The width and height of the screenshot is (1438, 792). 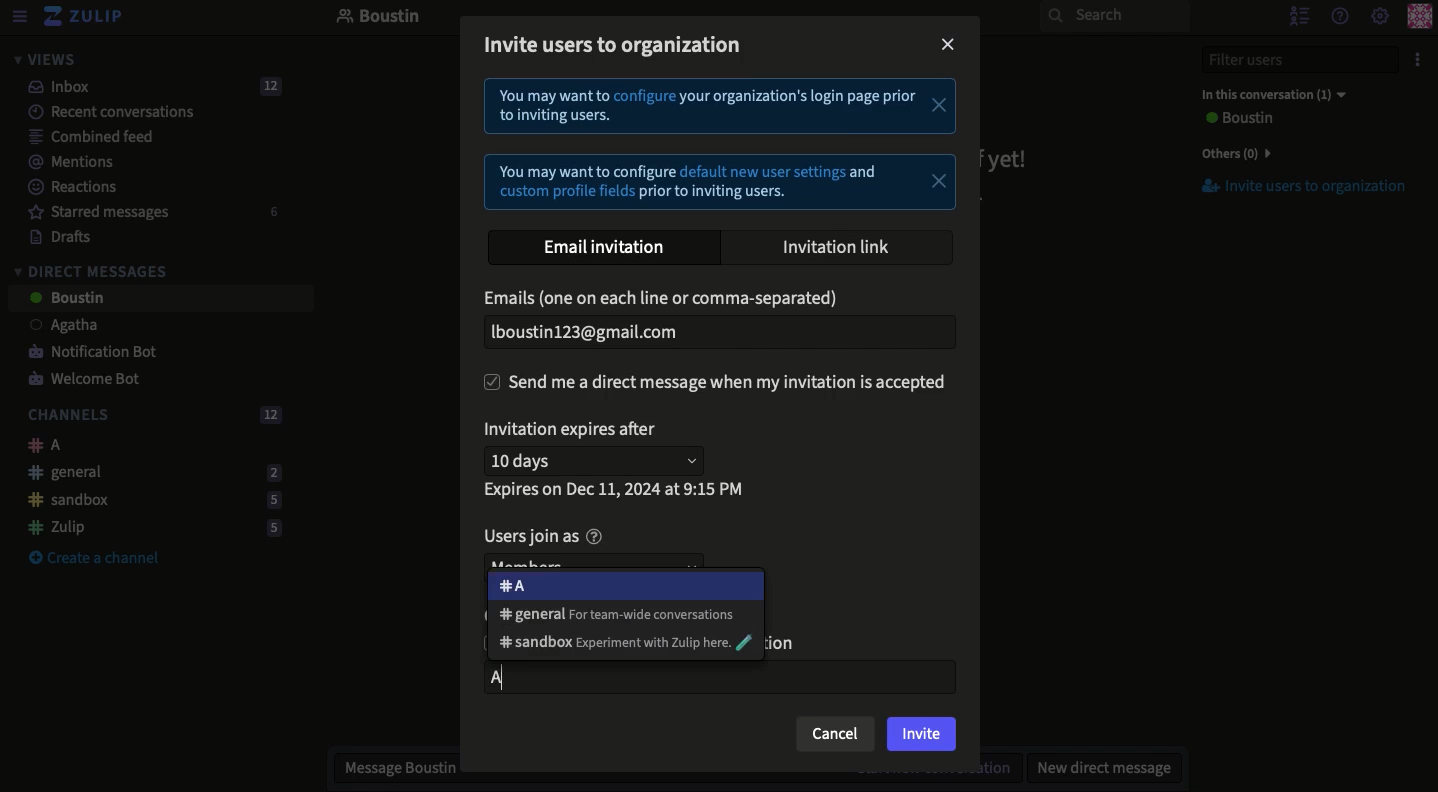 I want to click on Views, so click(x=44, y=59).